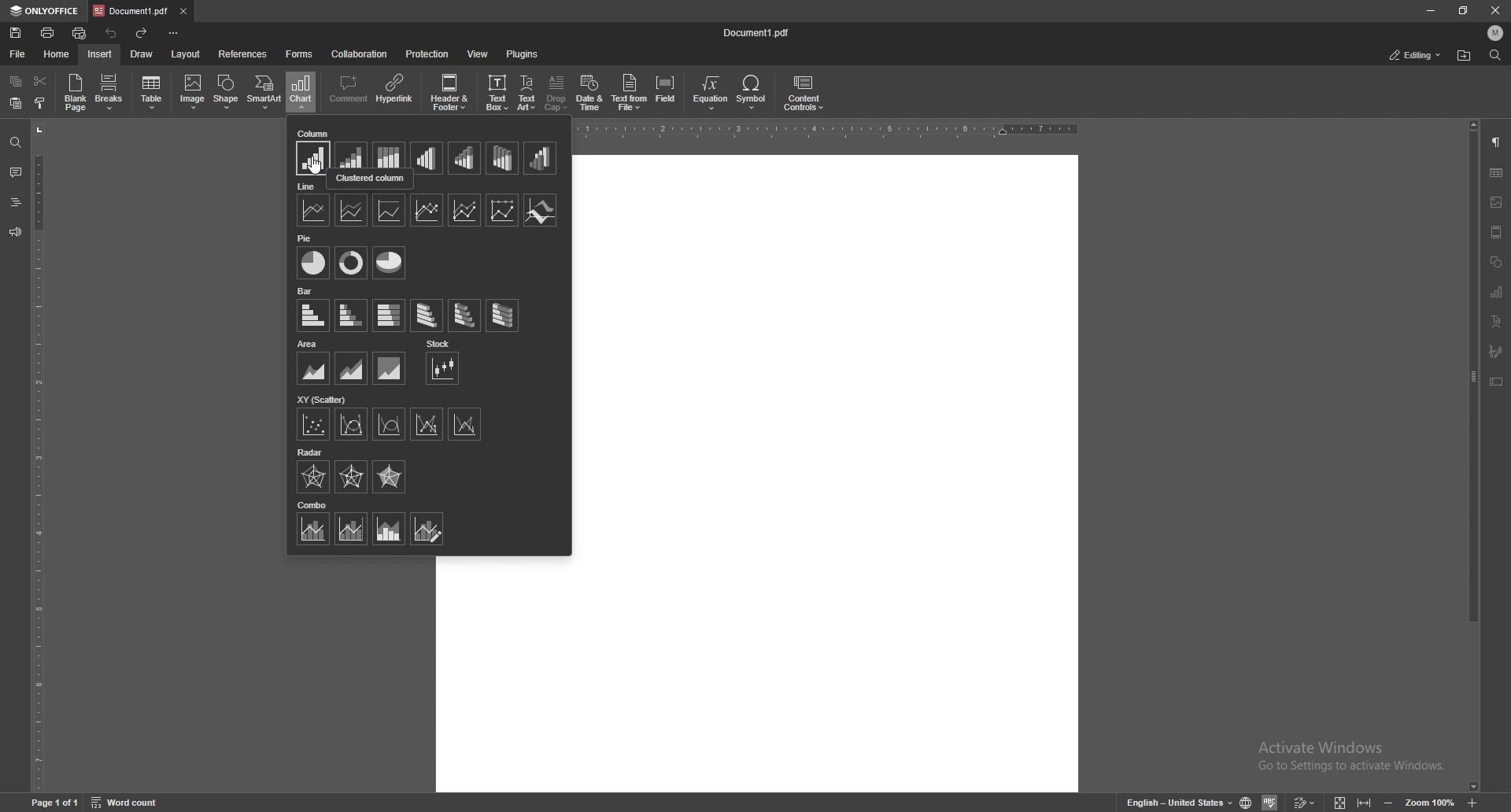 The width and height of the screenshot is (1511, 812). I want to click on copy, so click(14, 82).